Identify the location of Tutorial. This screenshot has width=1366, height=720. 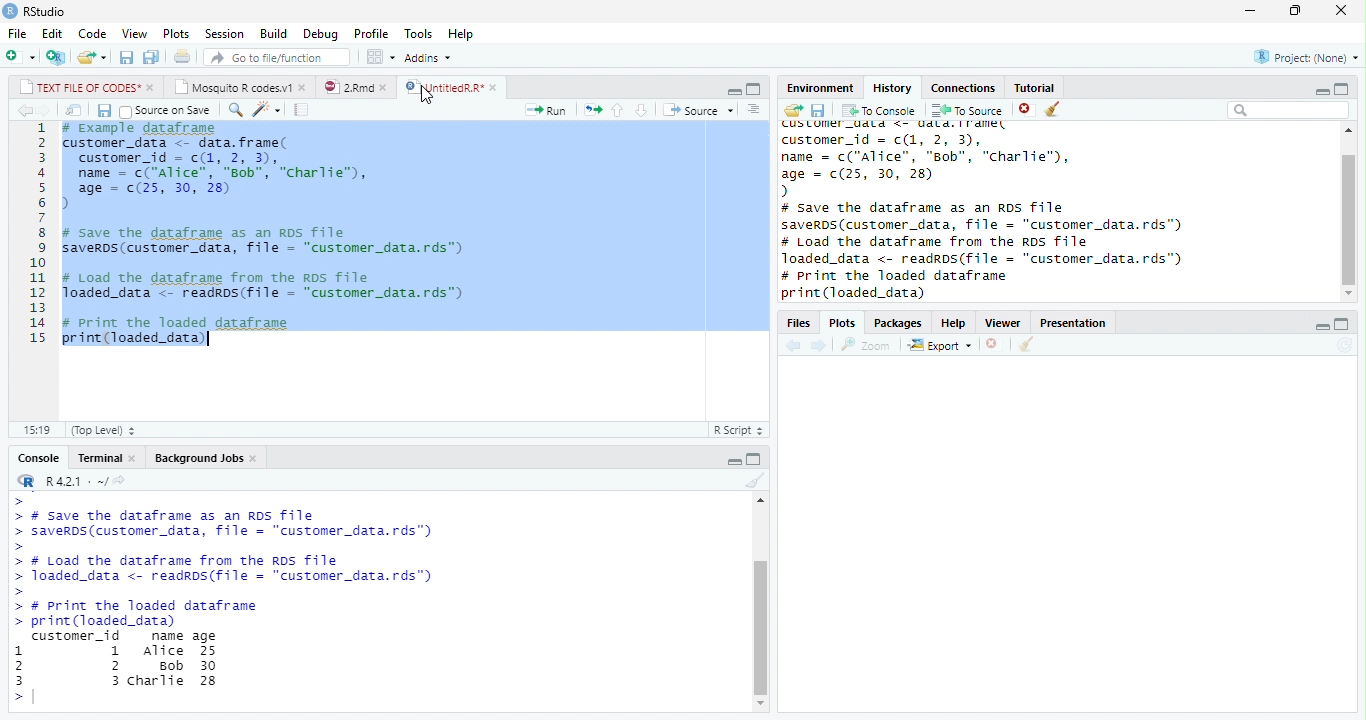
(1036, 87).